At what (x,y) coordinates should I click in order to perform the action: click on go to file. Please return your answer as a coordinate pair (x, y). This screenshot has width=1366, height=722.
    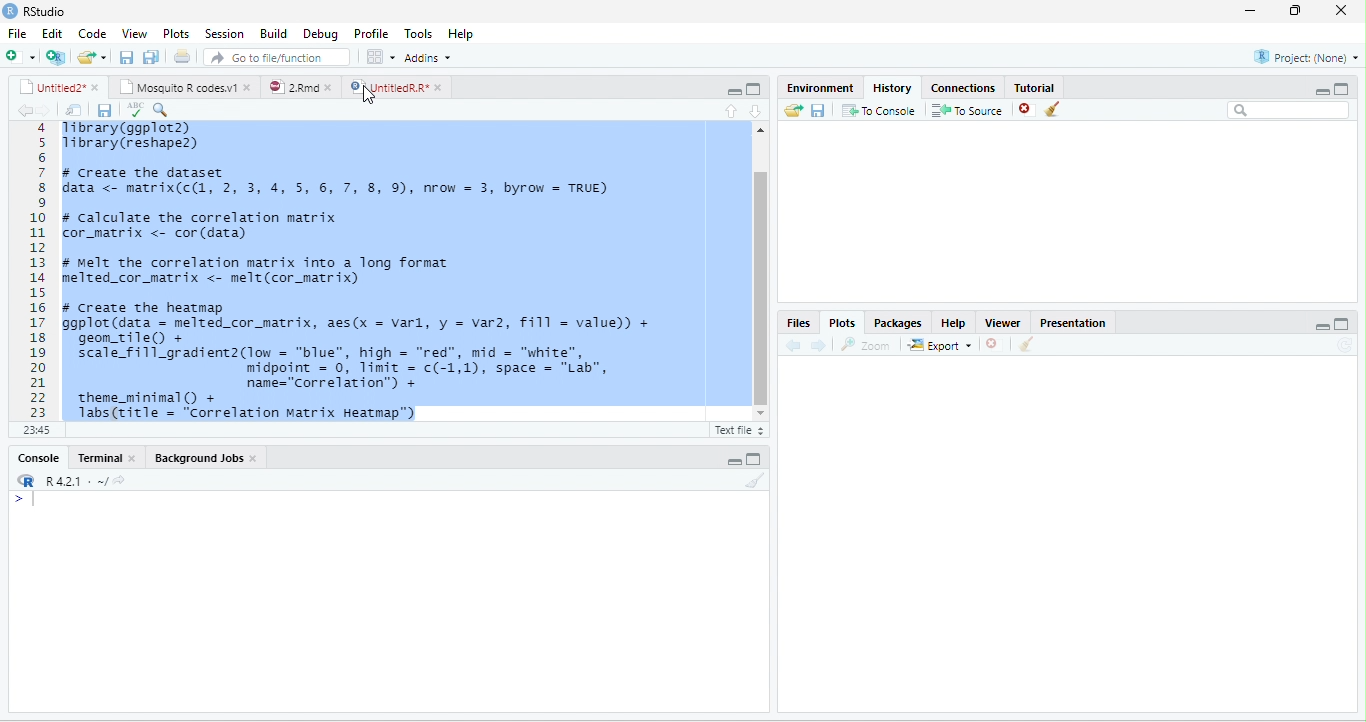
    Looking at the image, I should click on (278, 56).